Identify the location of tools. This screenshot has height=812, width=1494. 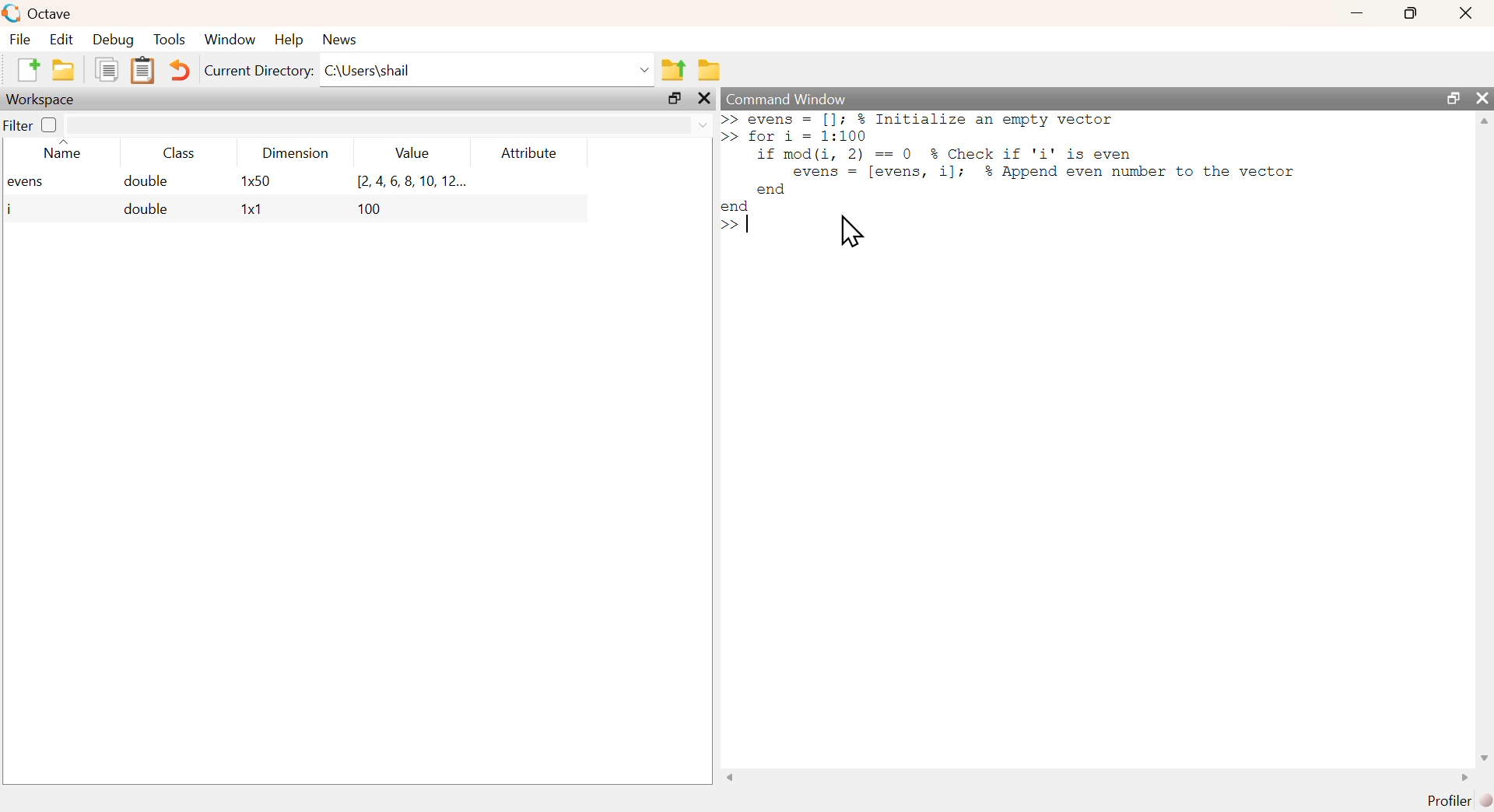
(172, 38).